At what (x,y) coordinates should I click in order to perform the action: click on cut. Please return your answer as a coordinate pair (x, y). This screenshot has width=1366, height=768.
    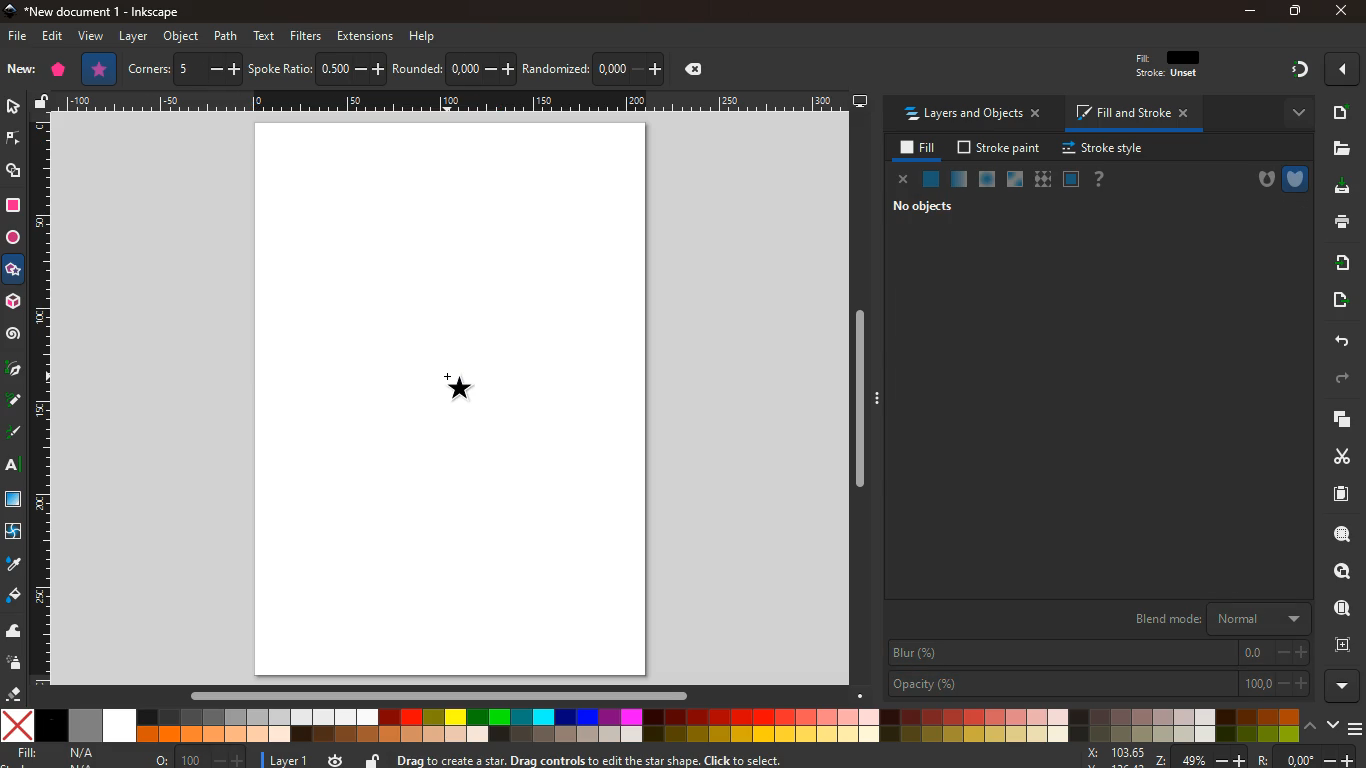
    Looking at the image, I should click on (1338, 457).